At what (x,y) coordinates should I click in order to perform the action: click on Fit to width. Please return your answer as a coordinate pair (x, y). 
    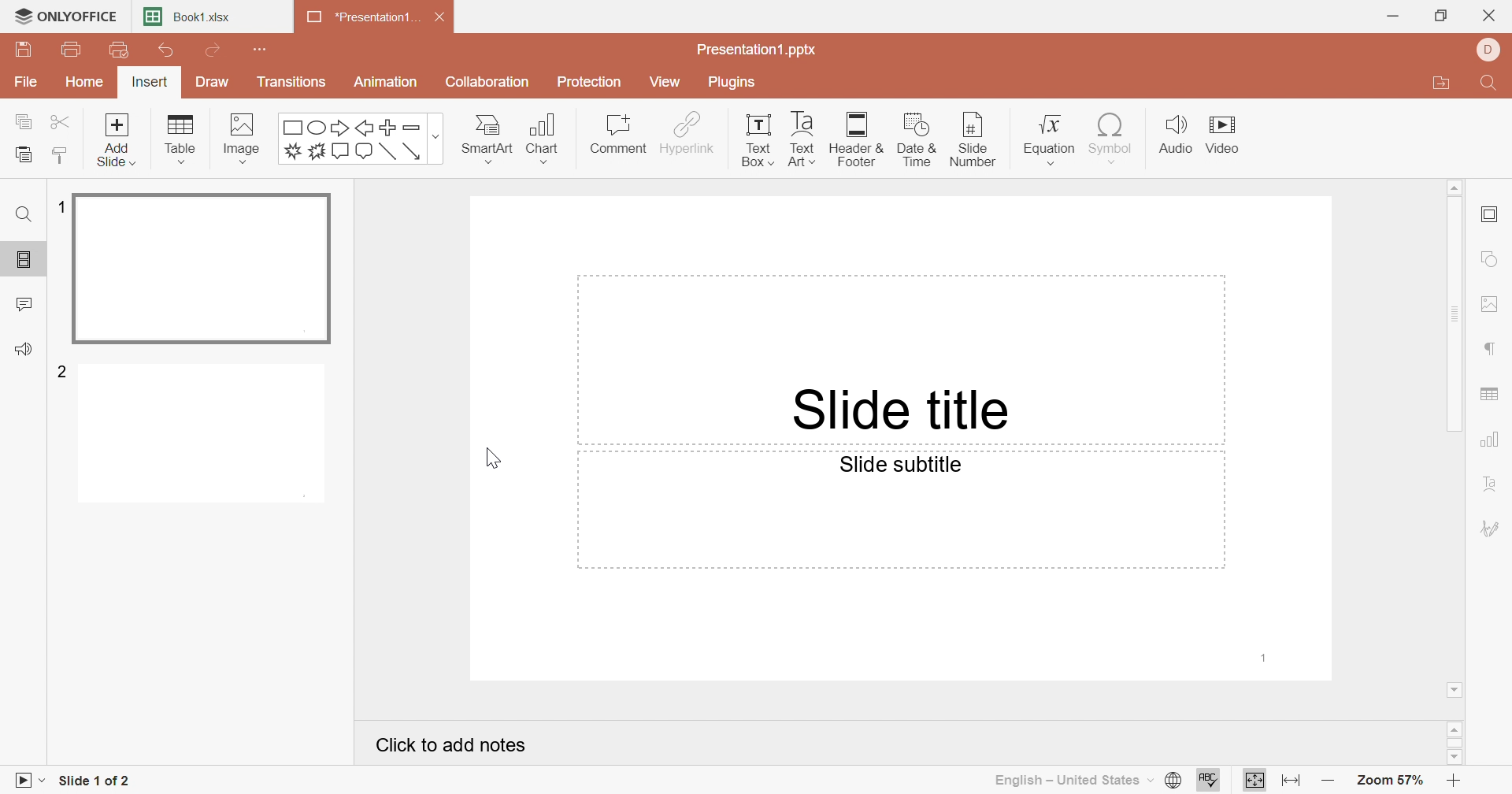
    Looking at the image, I should click on (1292, 781).